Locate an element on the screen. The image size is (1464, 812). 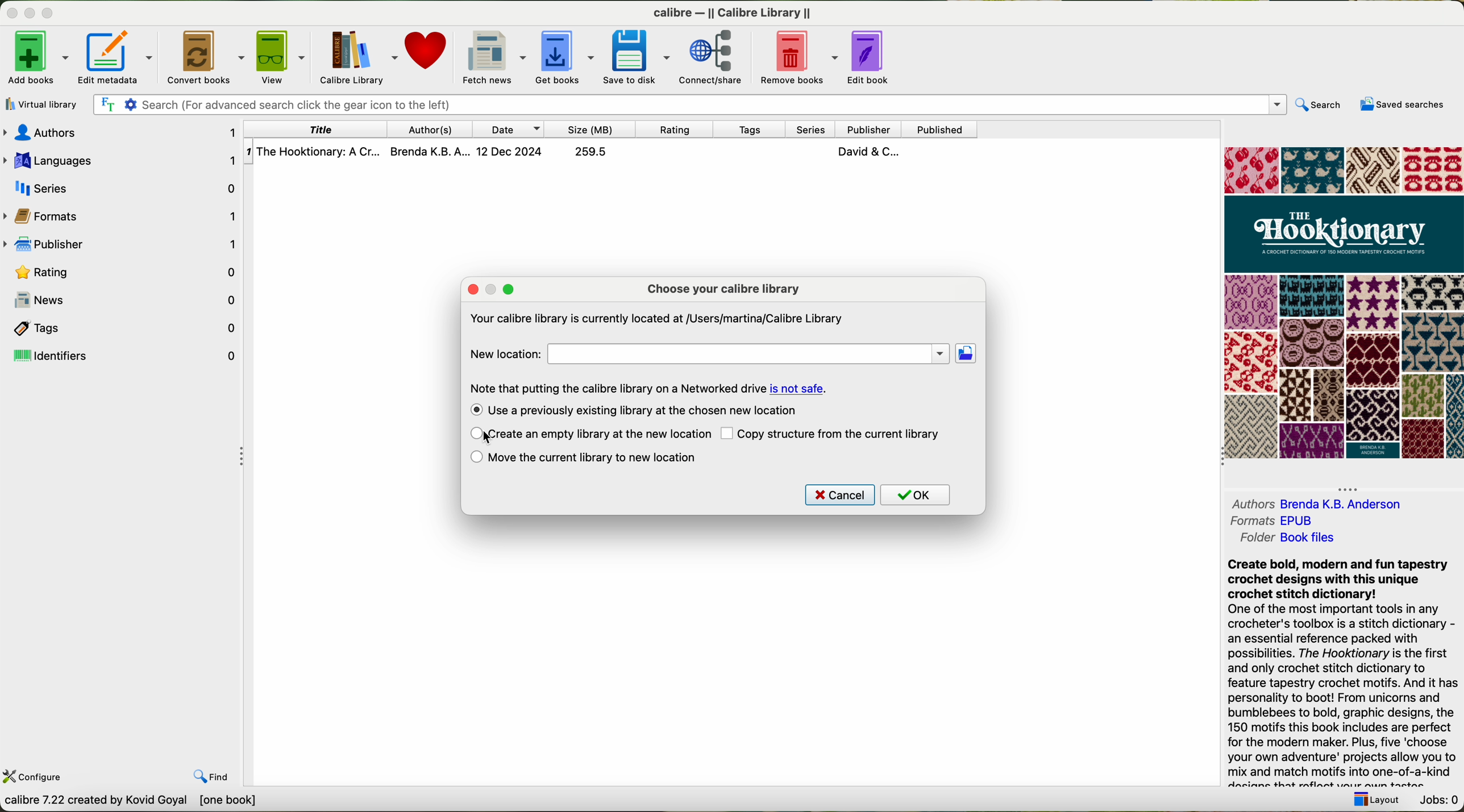
title is located at coordinates (321, 131).